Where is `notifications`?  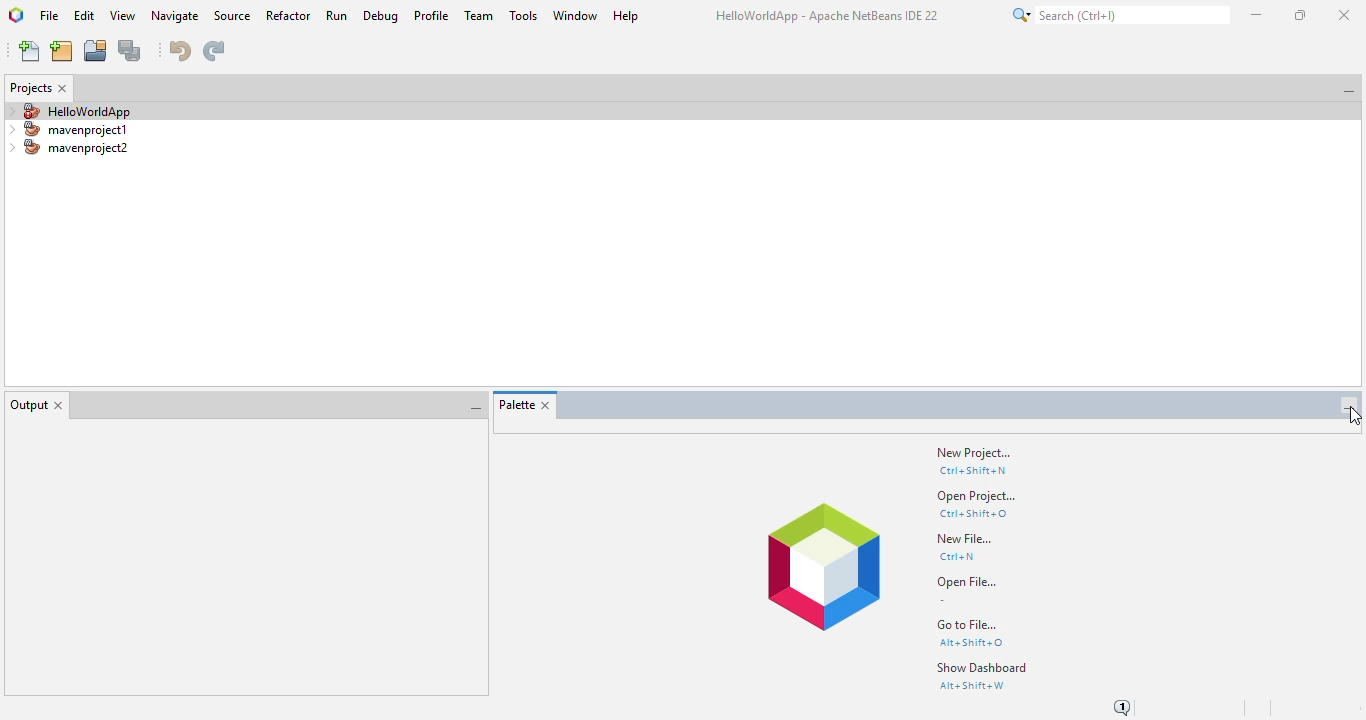
notifications is located at coordinates (1125, 706).